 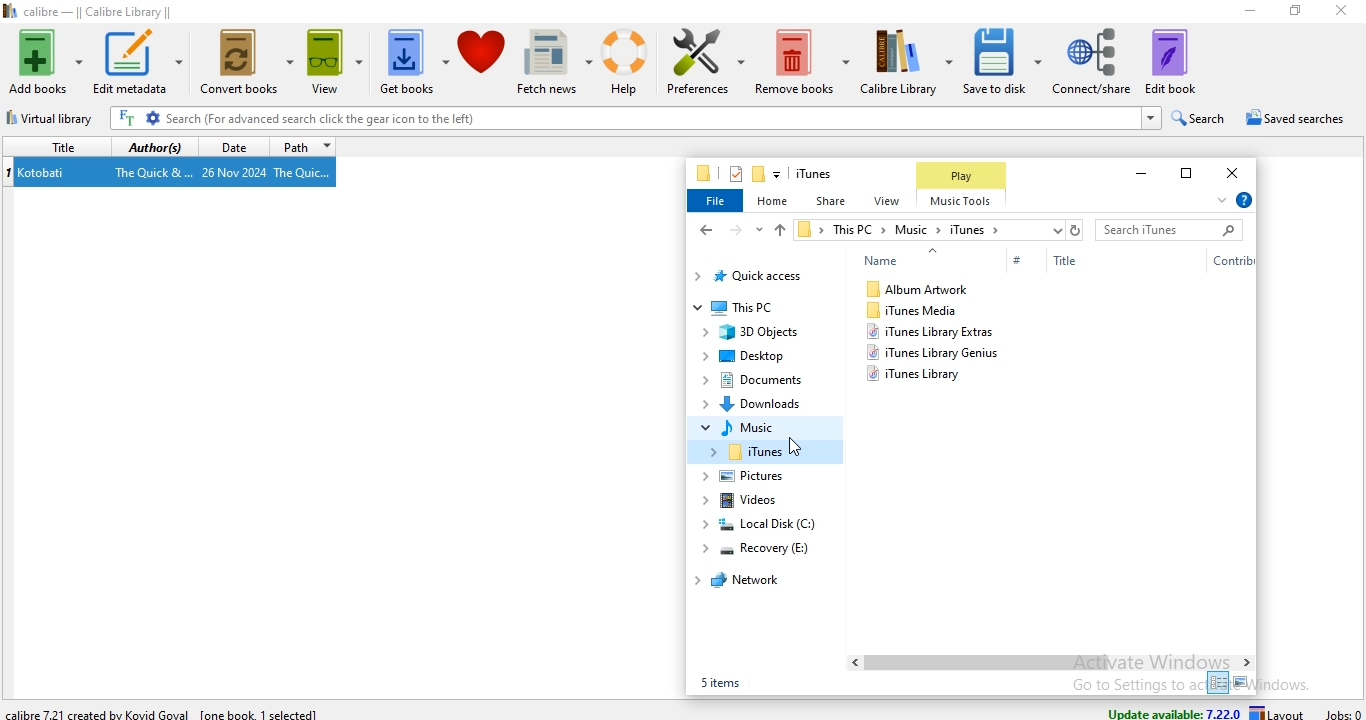 What do you see at coordinates (778, 174) in the screenshot?
I see `customise quick access toolbar` at bounding box center [778, 174].